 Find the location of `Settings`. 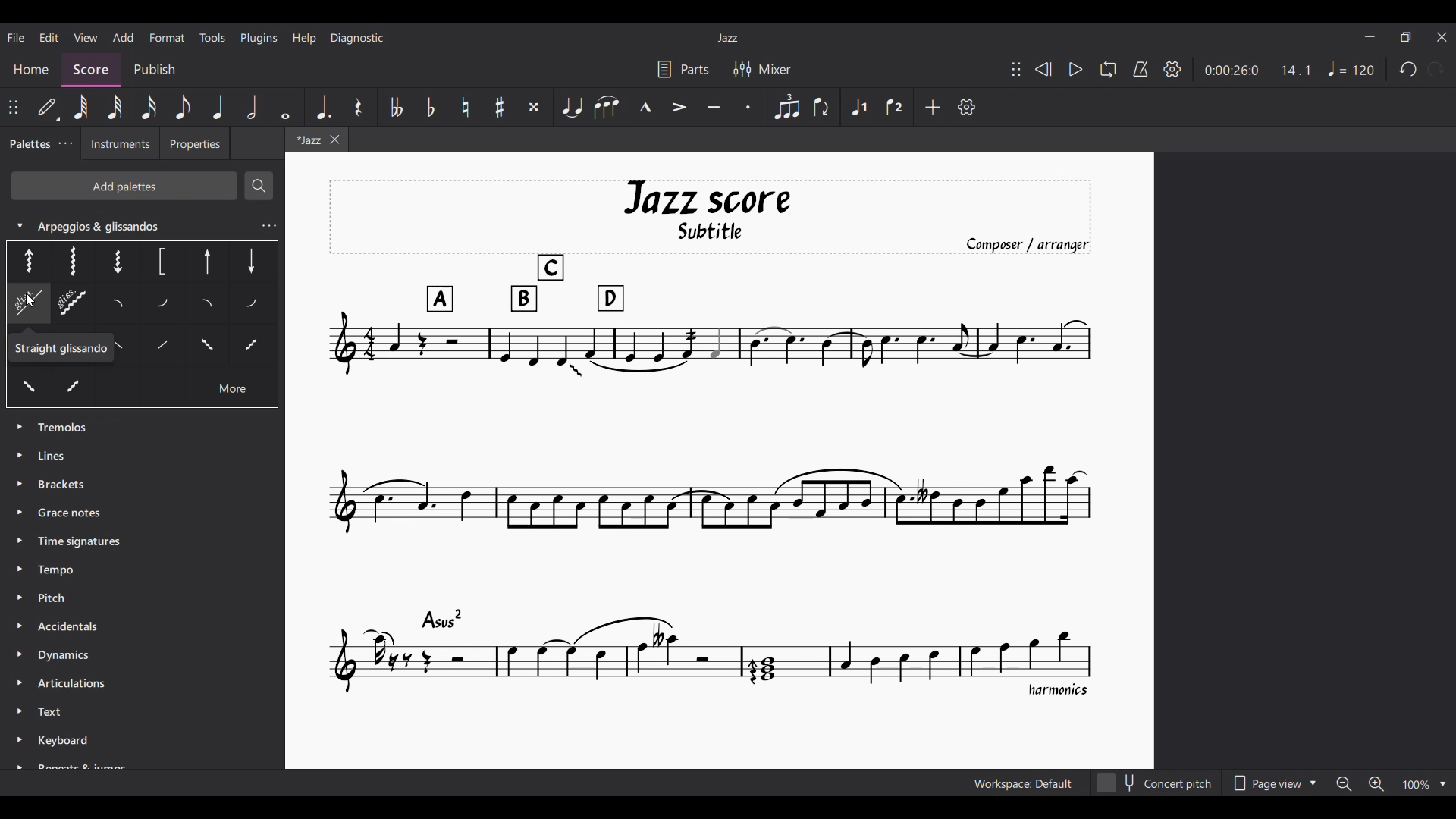

Settings is located at coordinates (1172, 69).